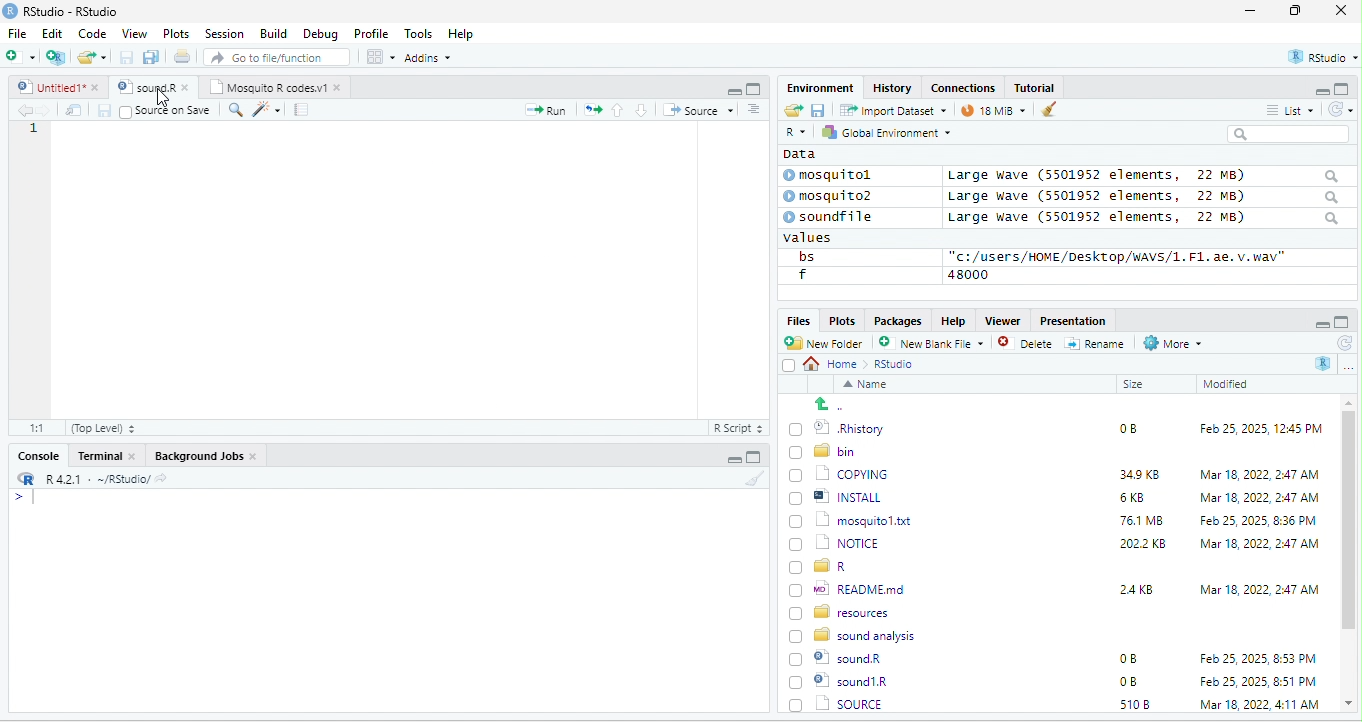 The height and width of the screenshot is (722, 1362). What do you see at coordinates (830, 567) in the screenshot?
I see `[) = R` at bounding box center [830, 567].